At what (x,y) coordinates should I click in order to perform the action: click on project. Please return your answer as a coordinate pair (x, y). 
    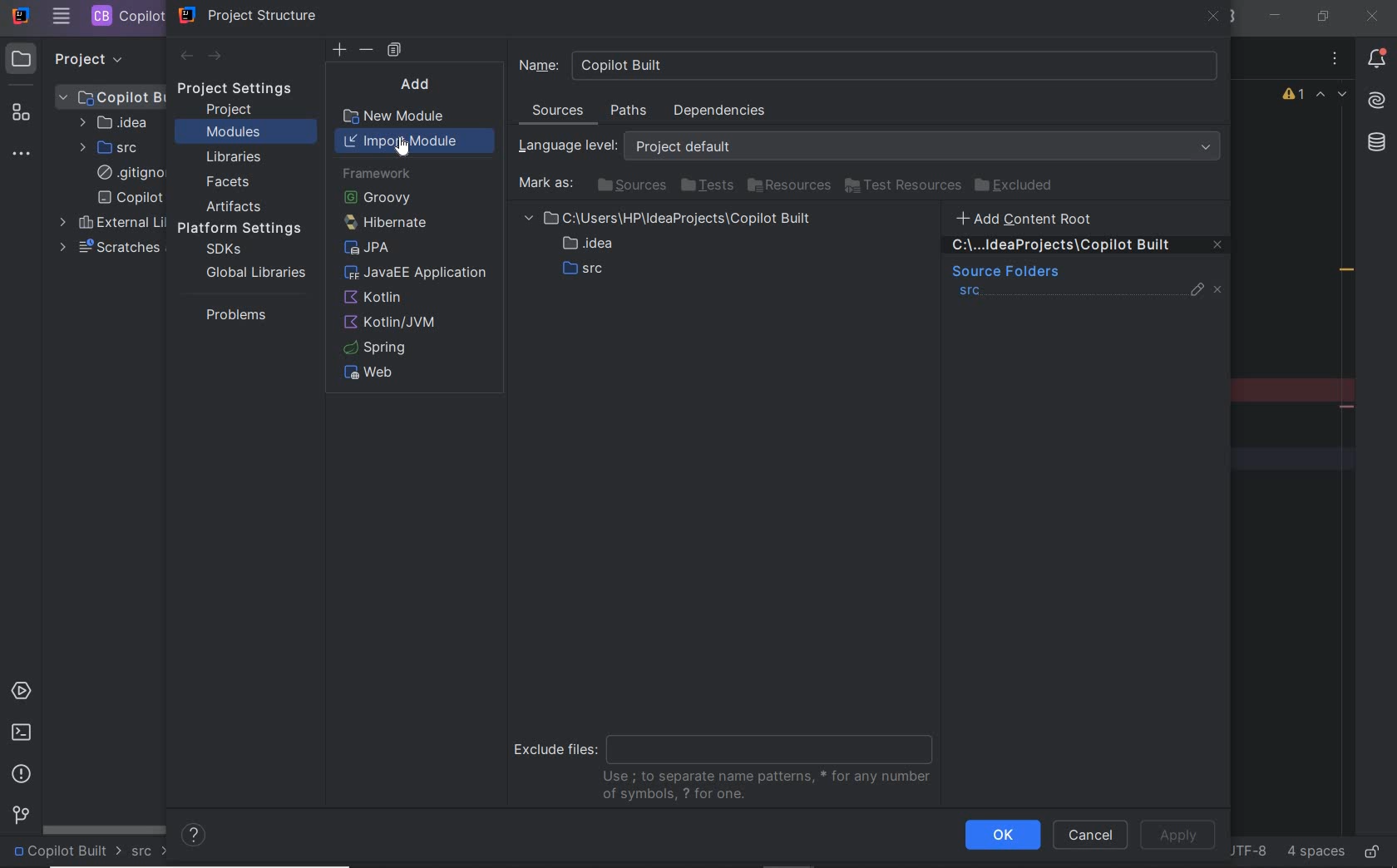
    Looking at the image, I should click on (230, 110).